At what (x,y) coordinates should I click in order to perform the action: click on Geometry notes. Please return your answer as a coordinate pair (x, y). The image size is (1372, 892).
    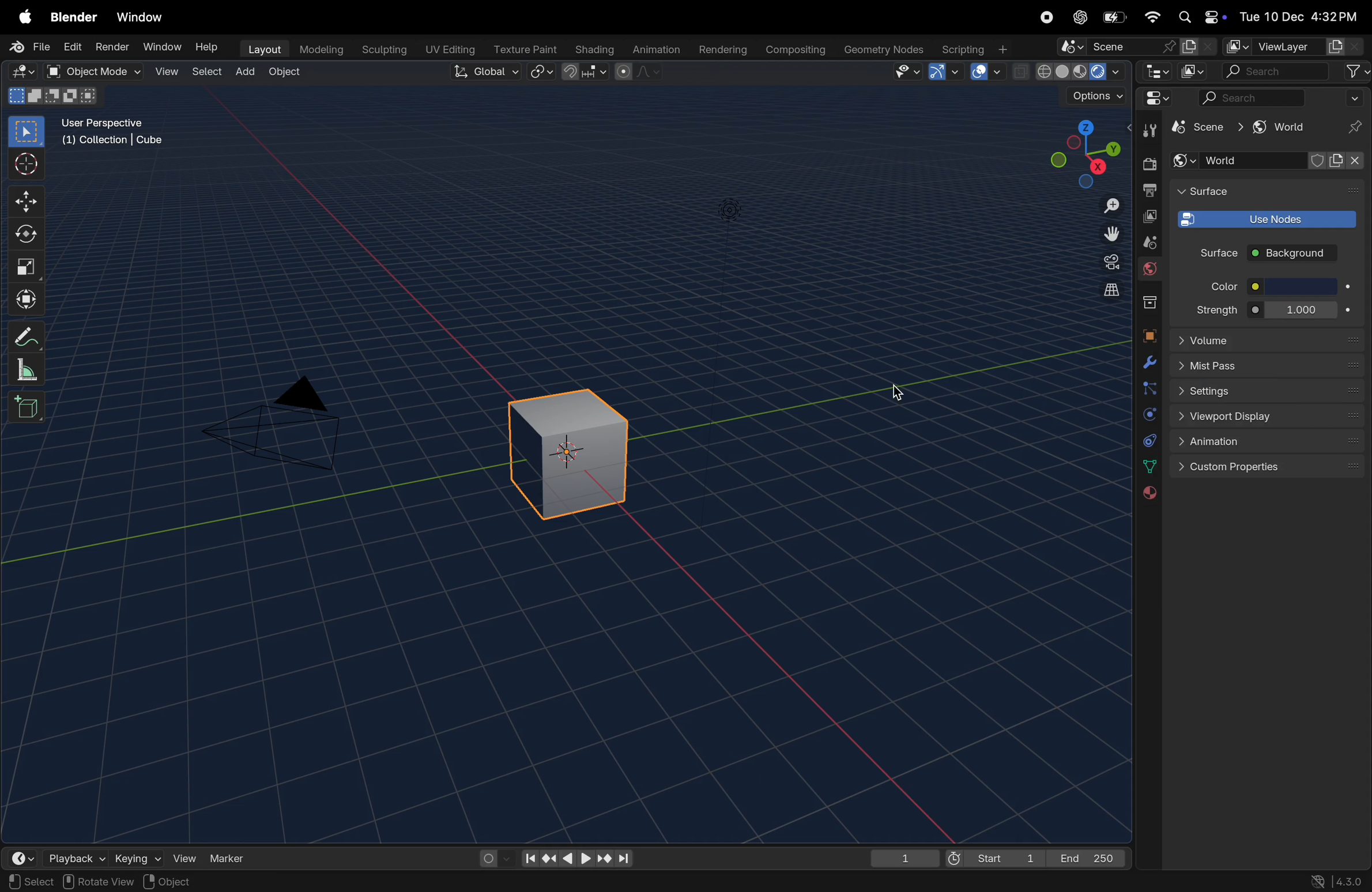
    Looking at the image, I should click on (882, 49).